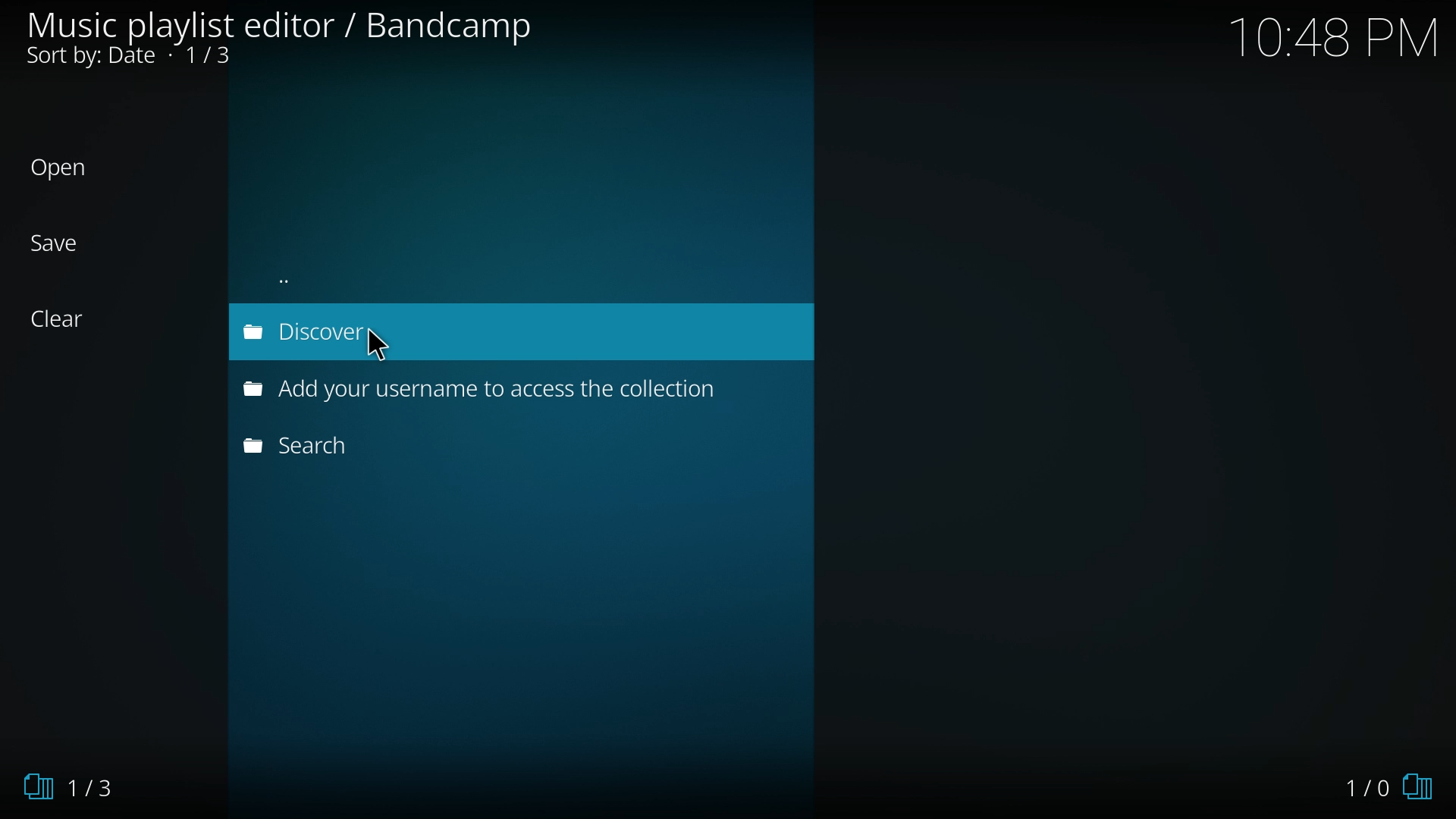 This screenshot has height=819, width=1456. What do you see at coordinates (326, 278) in the screenshot?
I see `back` at bounding box center [326, 278].